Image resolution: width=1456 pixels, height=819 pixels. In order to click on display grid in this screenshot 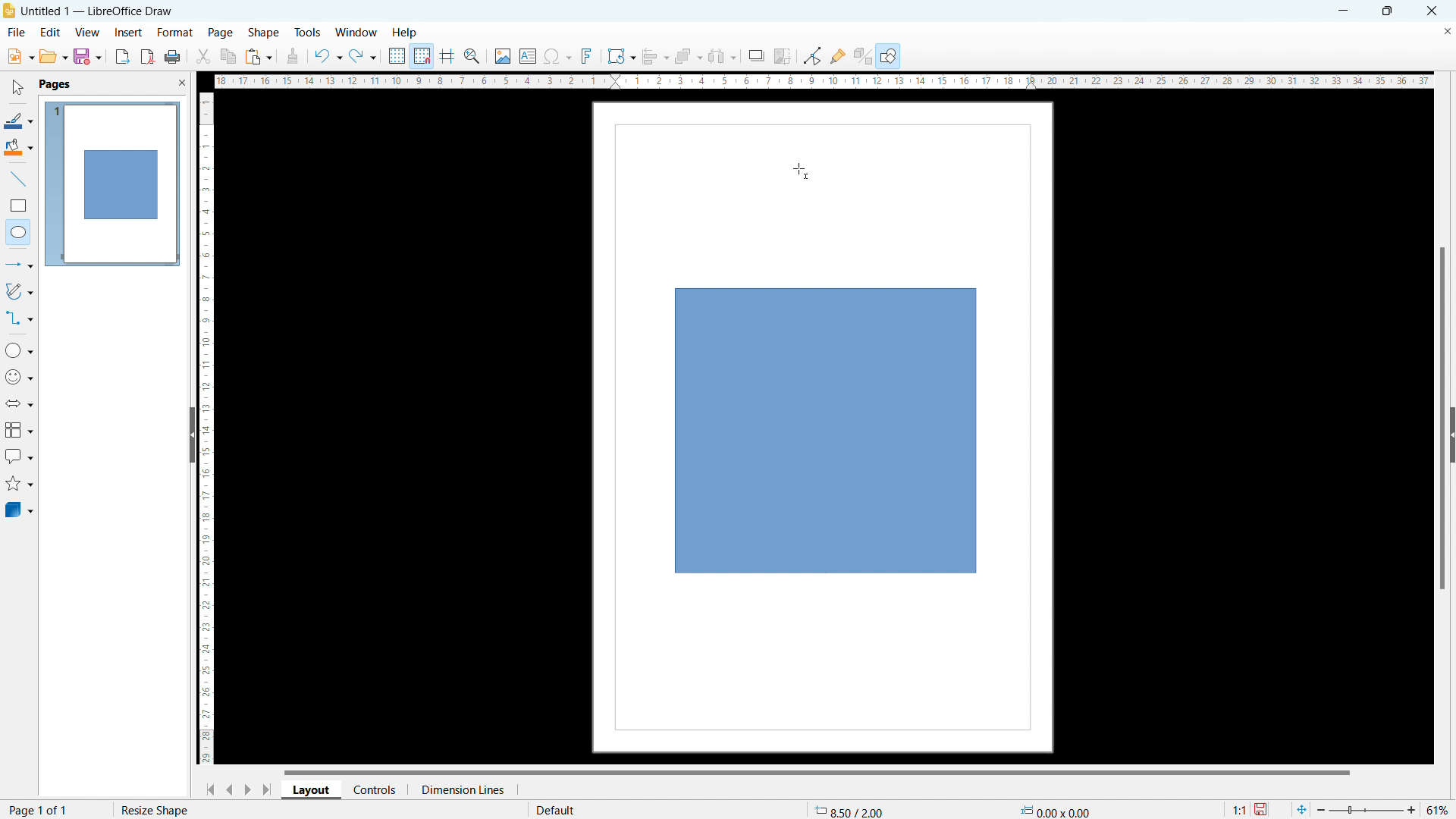, I will do `click(396, 56)`.